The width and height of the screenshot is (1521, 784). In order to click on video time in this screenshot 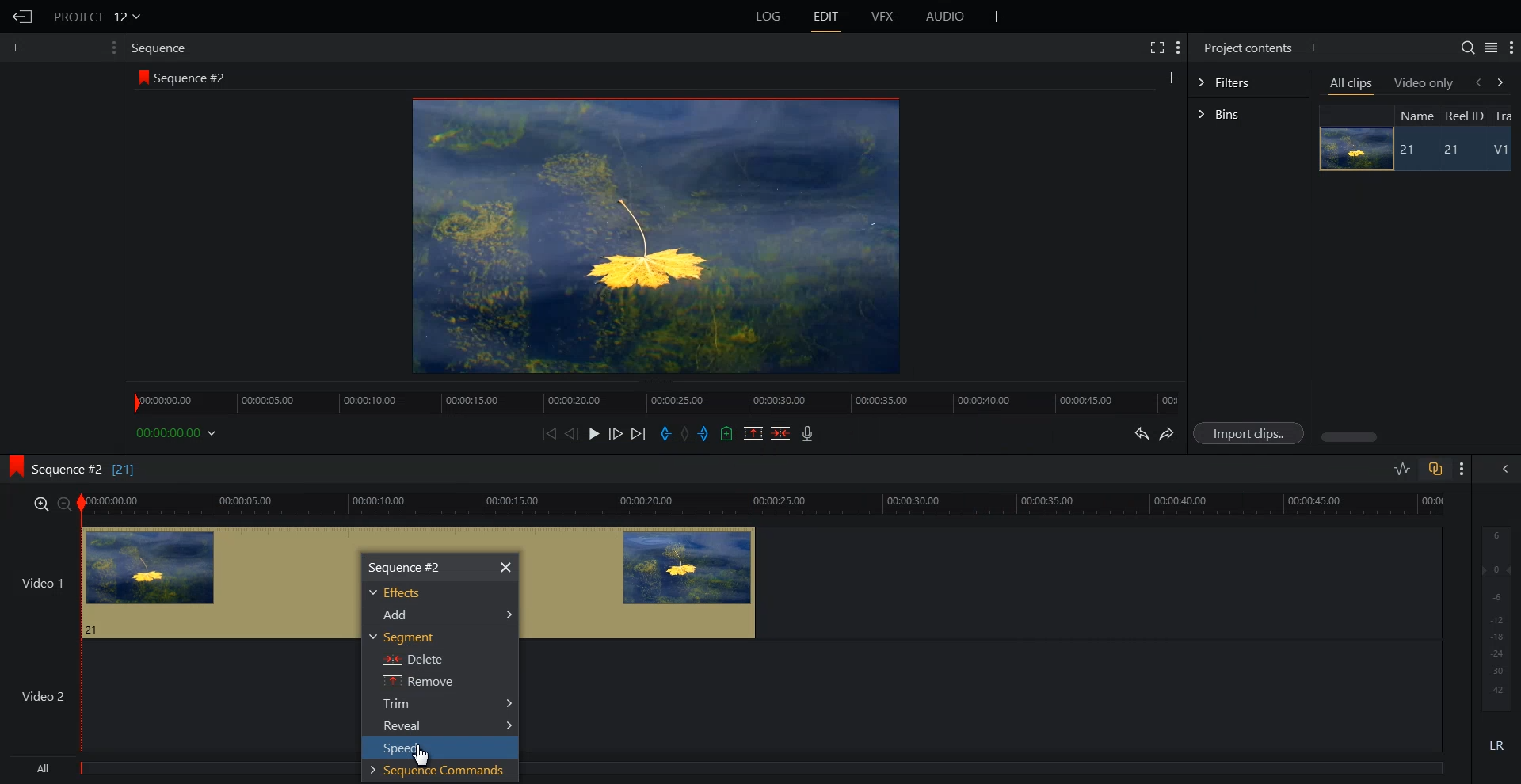, I will do `click(765, 502)`.